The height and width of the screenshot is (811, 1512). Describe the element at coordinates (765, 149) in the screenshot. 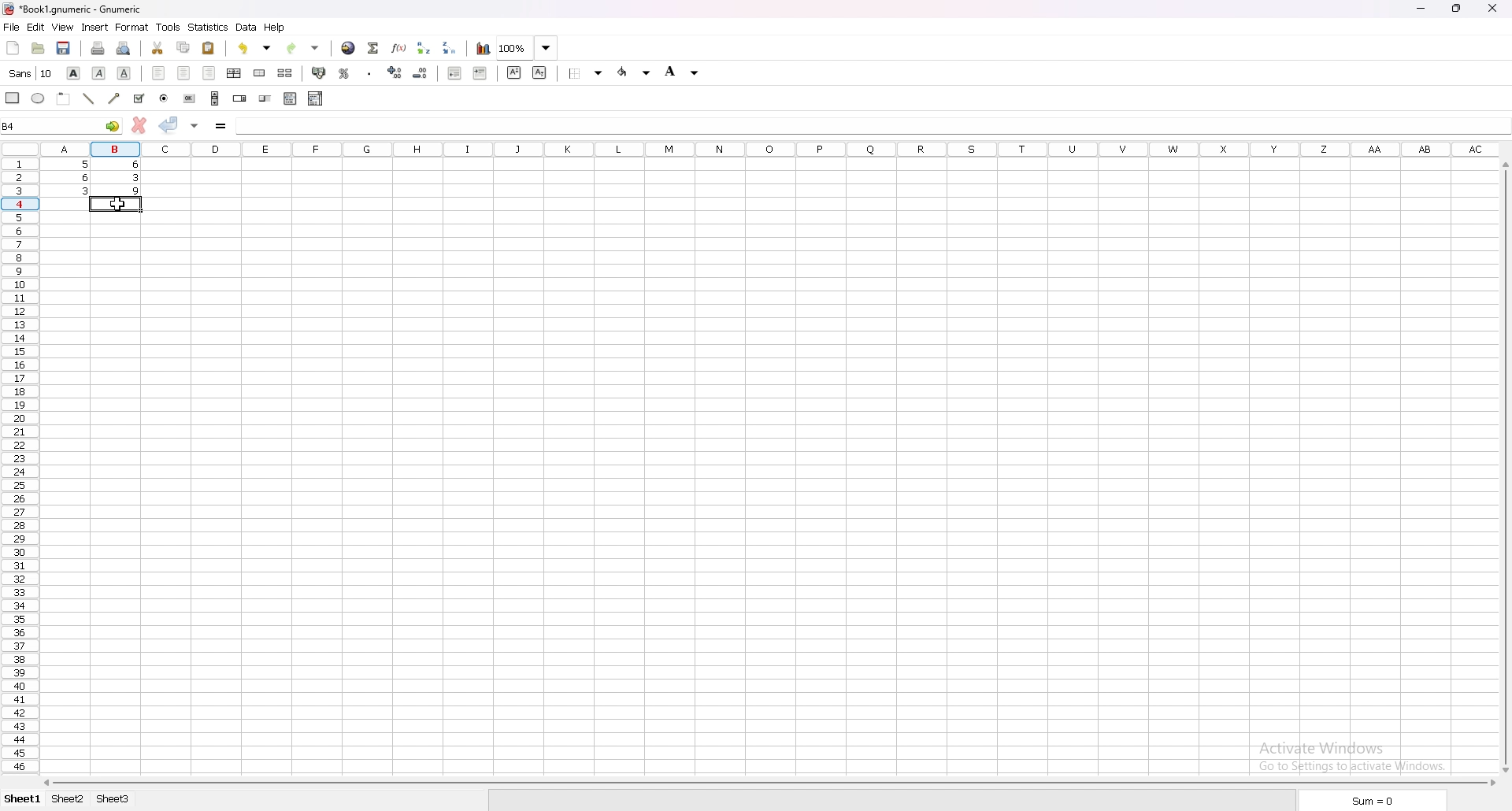

I see `column` at that location.